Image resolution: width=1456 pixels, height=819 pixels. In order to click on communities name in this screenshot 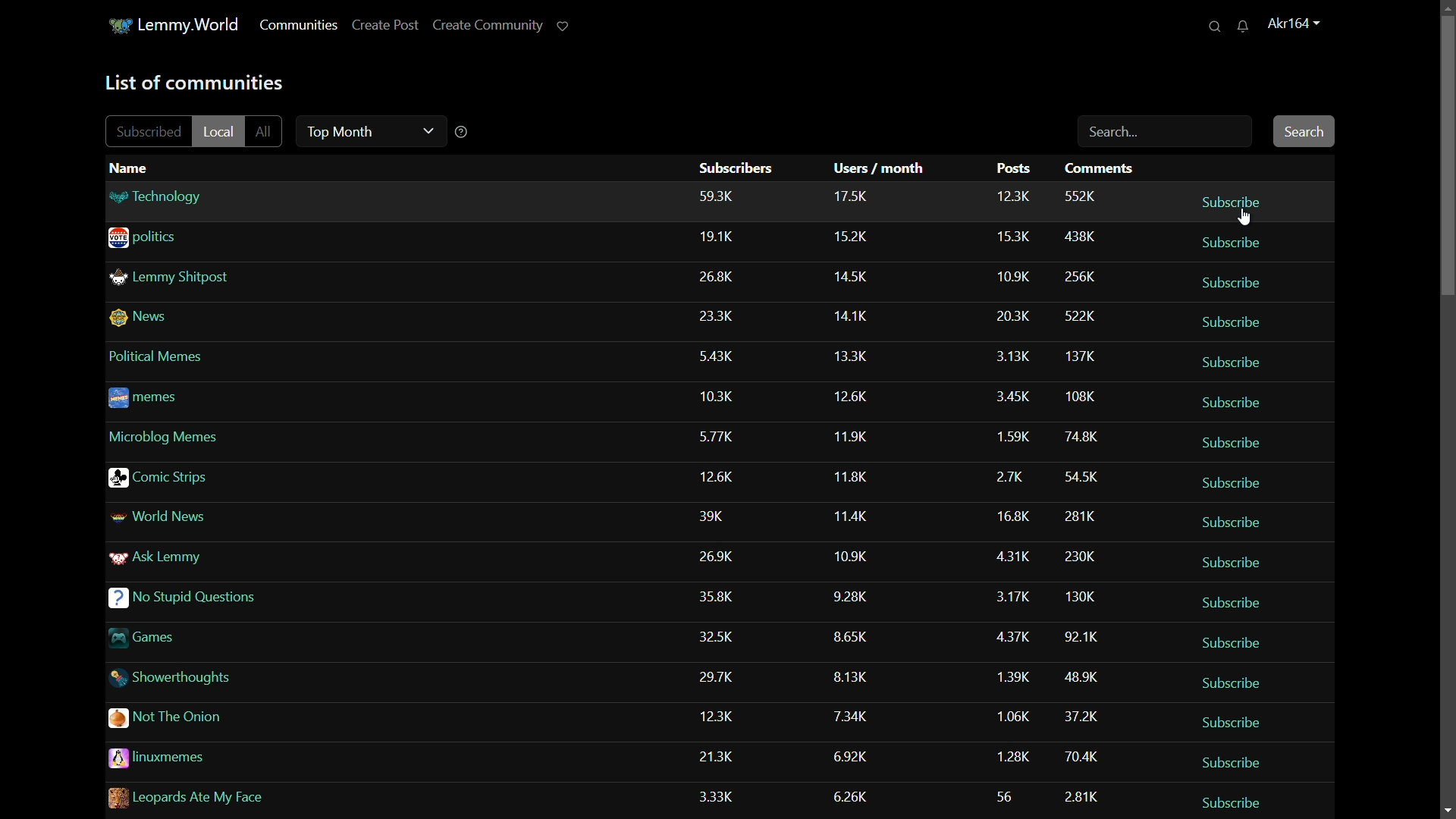, I will do `click(227, 279)`.